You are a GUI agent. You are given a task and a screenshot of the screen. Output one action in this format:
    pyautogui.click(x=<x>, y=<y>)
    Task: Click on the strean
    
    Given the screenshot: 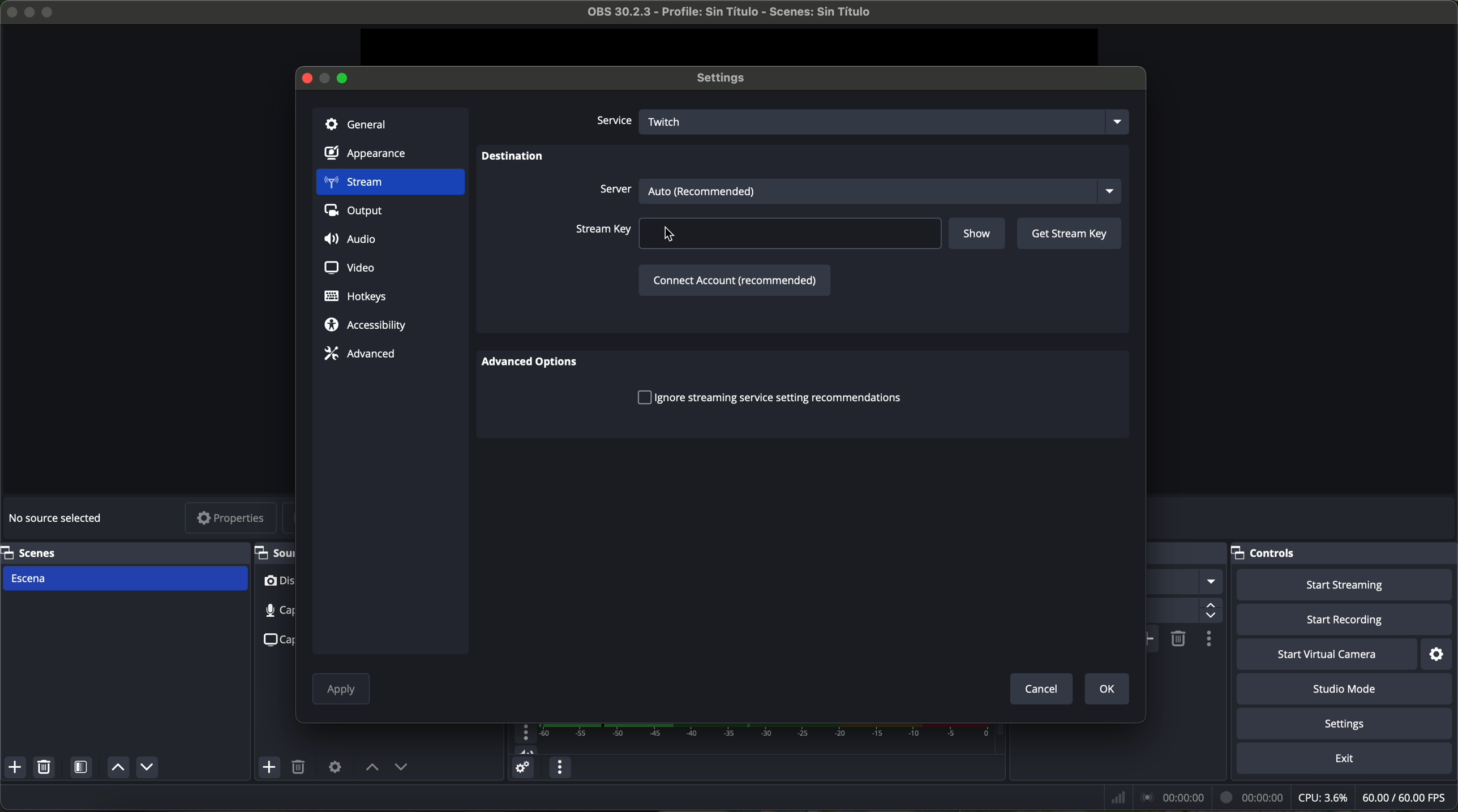 What is the action you would take?
    pyautogui.click(x=389, y=183)
    